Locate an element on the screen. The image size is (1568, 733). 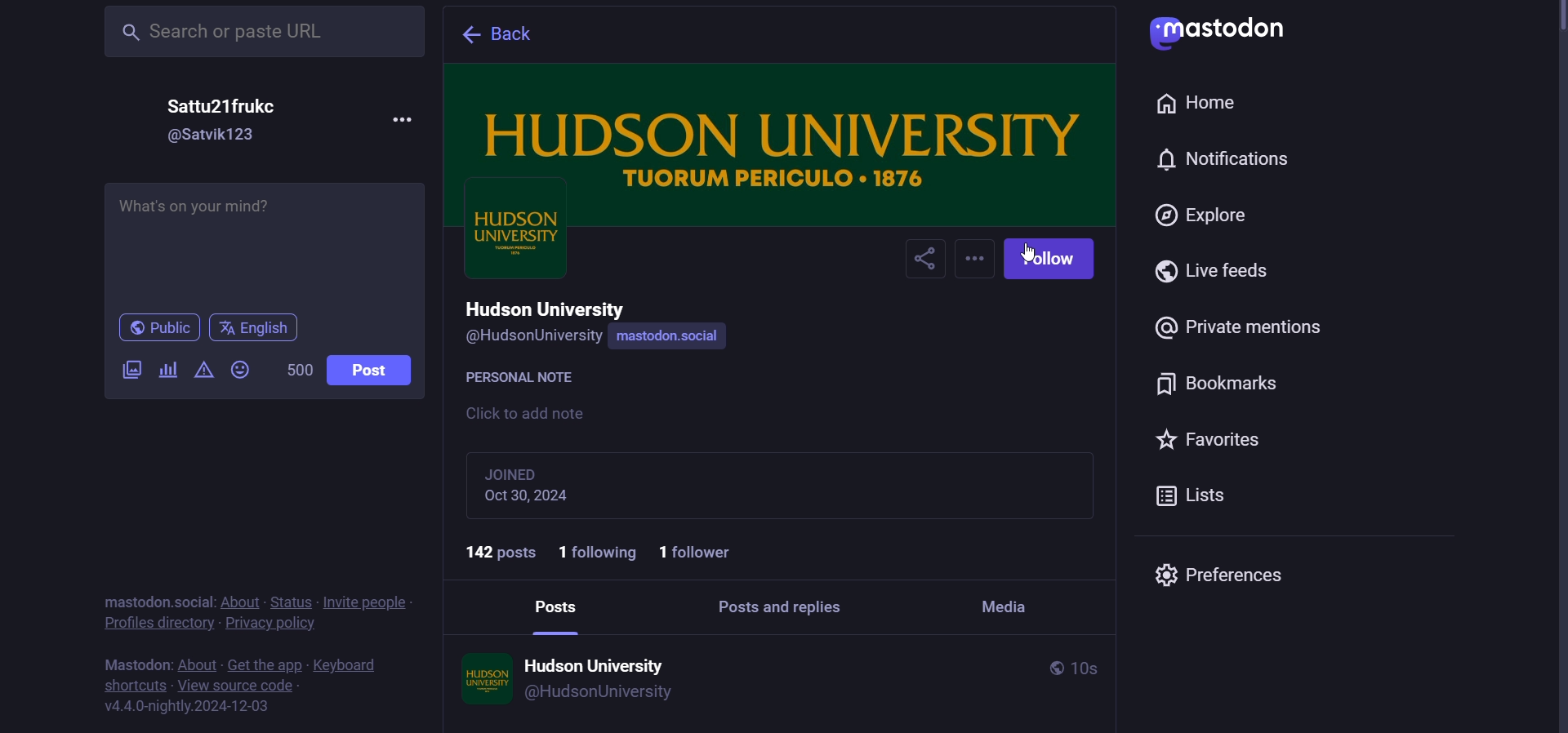
profile picture is located at coordinates (481, 677).